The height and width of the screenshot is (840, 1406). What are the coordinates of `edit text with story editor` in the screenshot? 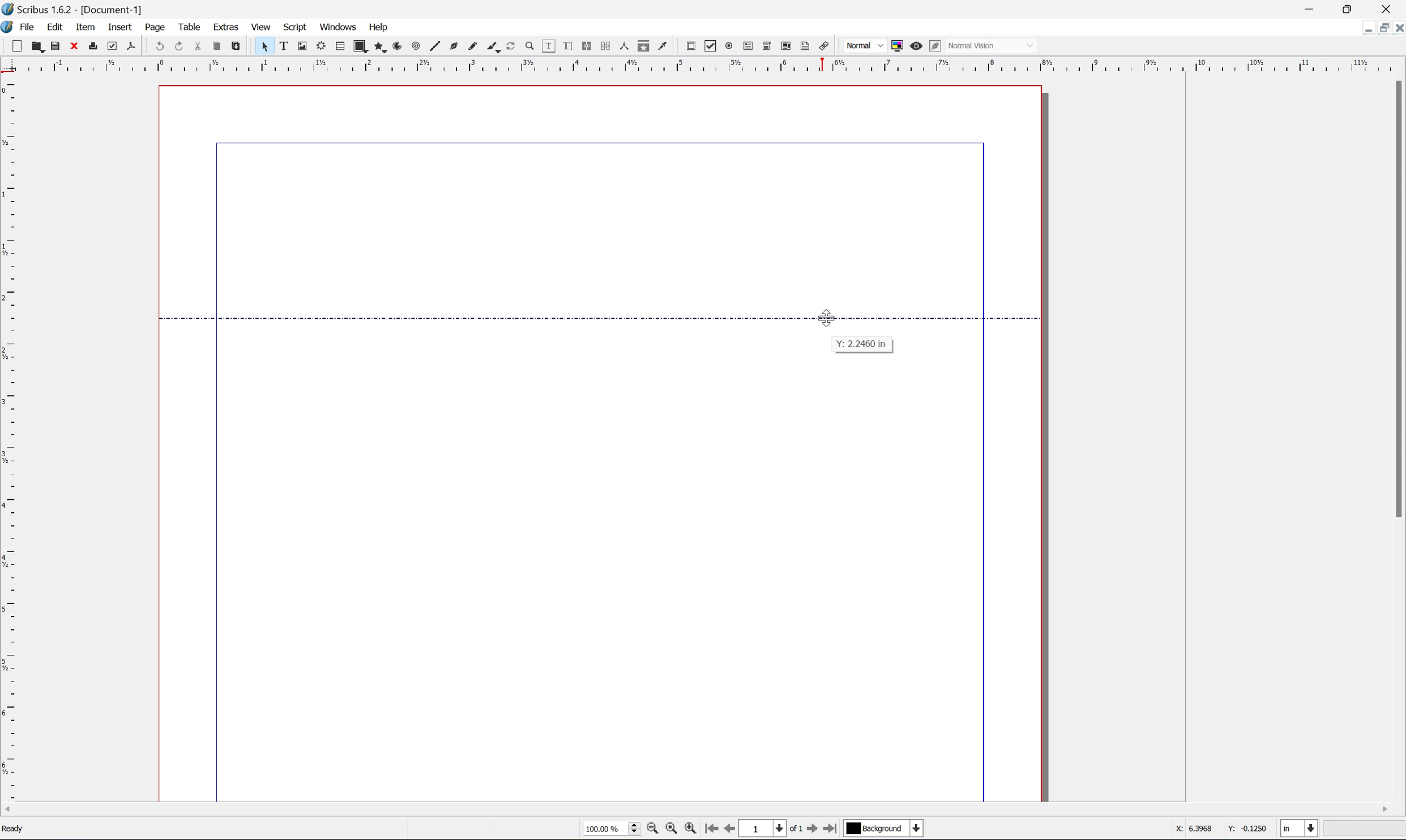 It's located at (568, 46).